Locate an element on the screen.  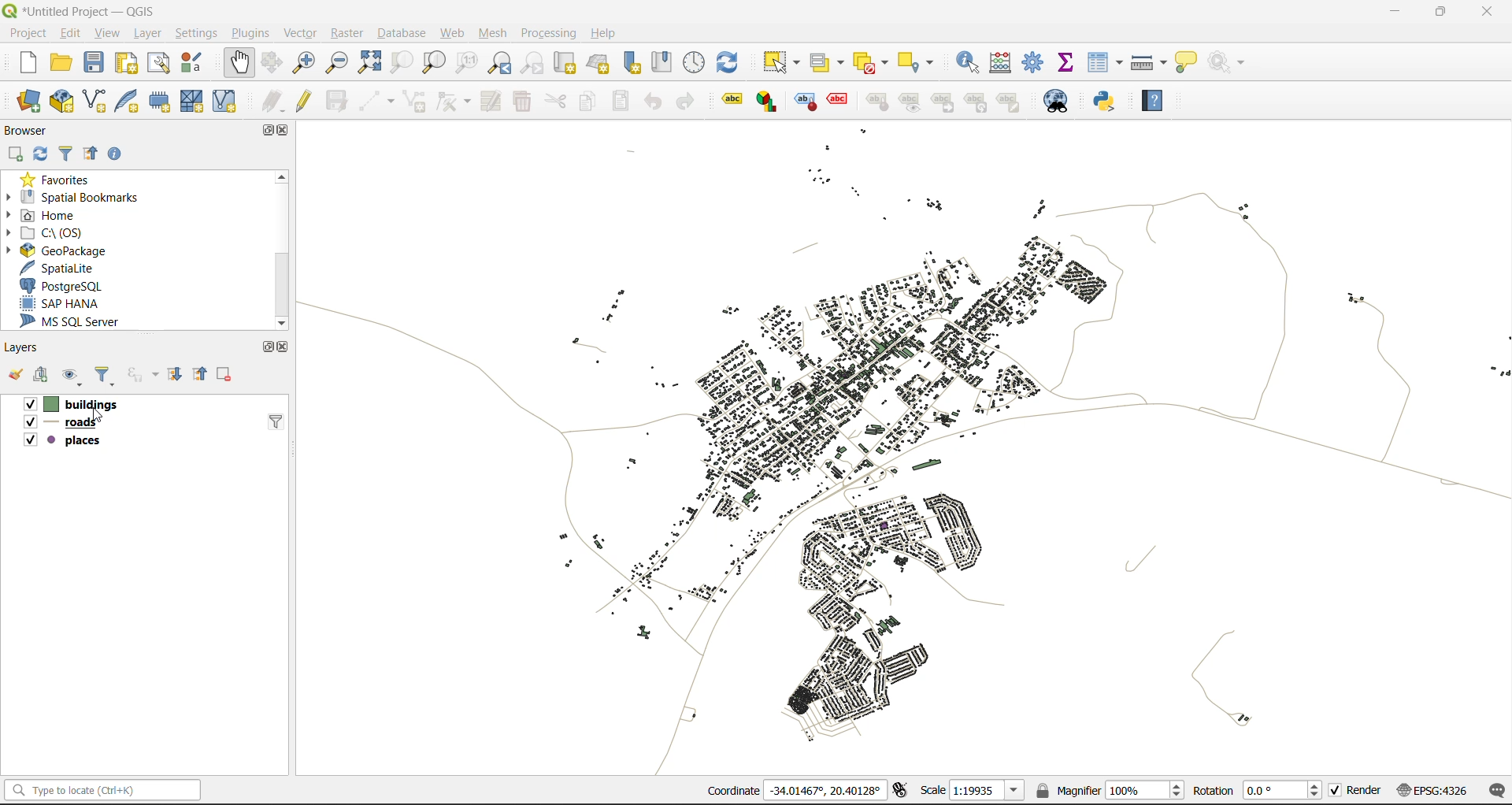
buildings is located at coordinates (71, 403).